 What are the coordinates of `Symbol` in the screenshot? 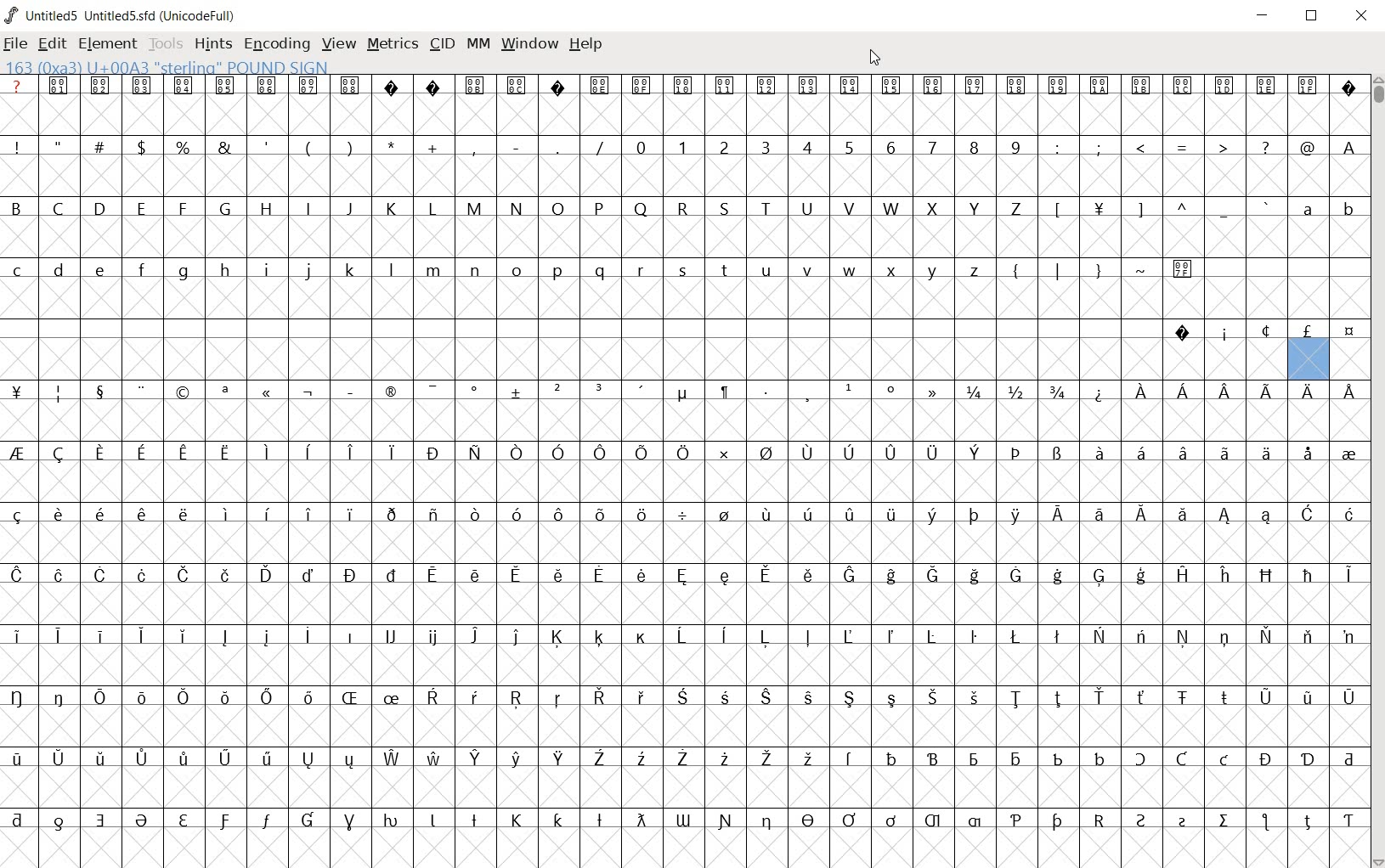 It's located at (1142, 88).